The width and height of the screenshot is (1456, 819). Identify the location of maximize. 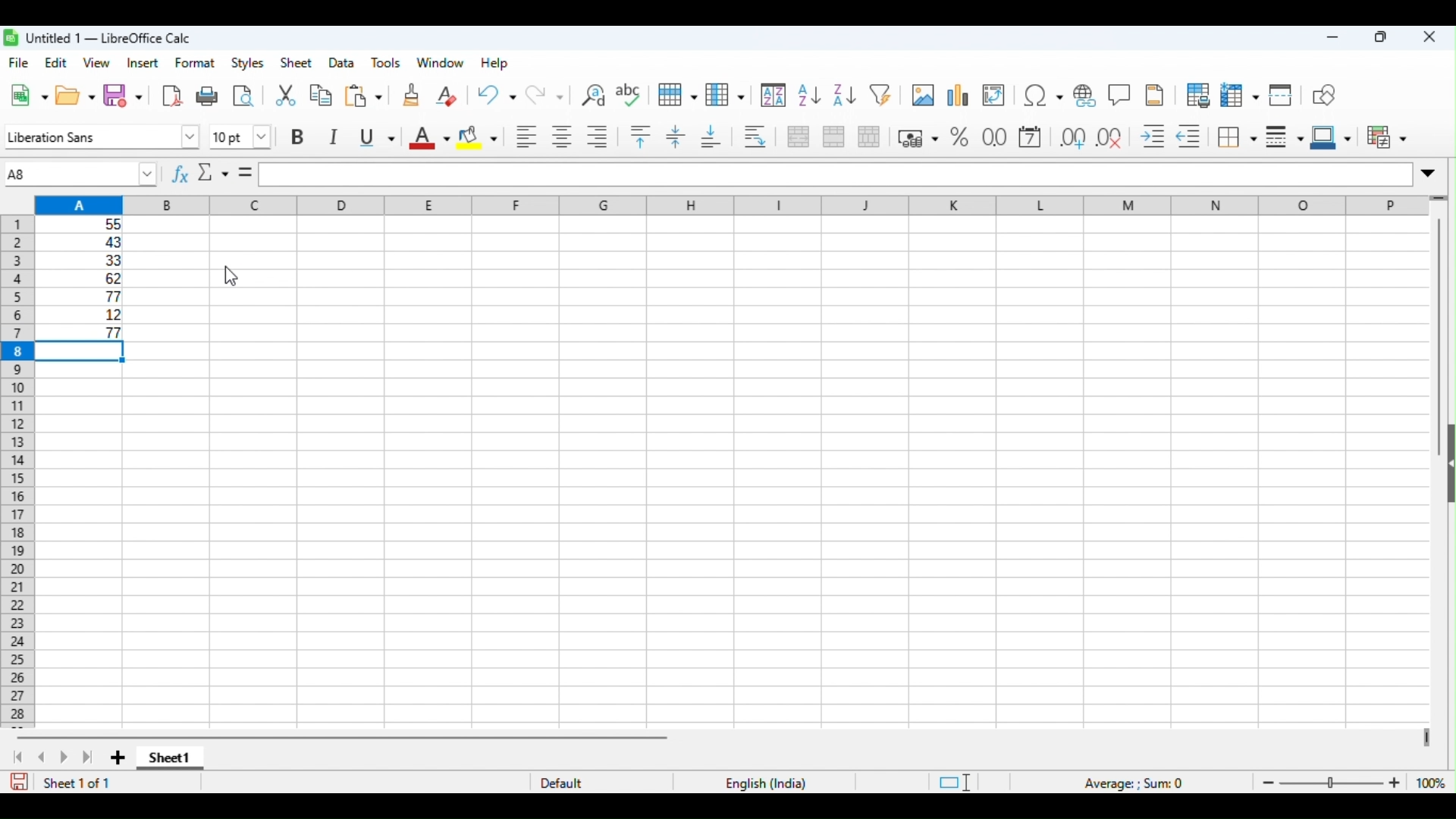
(1382, 37).